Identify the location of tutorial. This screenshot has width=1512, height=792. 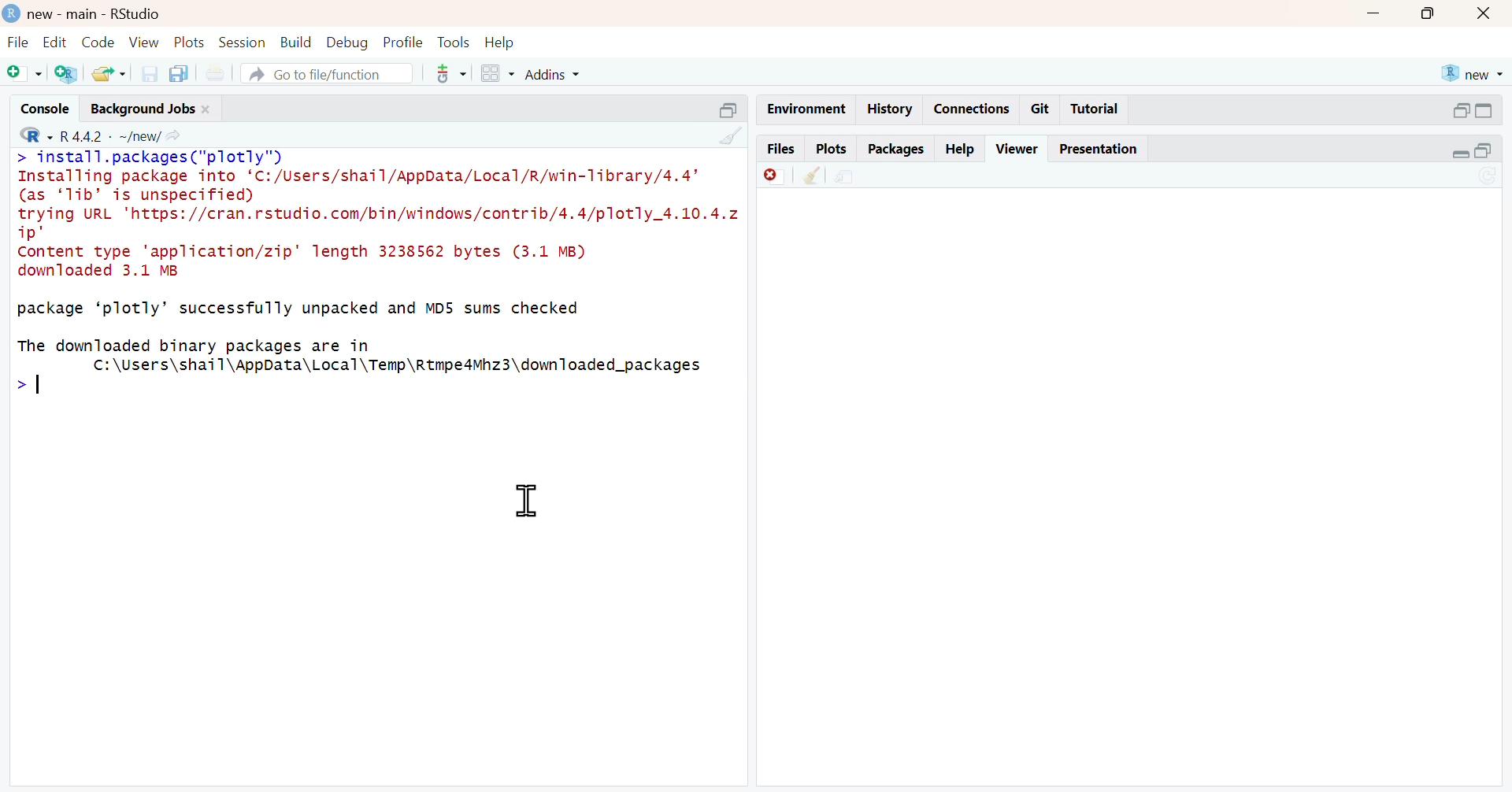
(1095, 111).